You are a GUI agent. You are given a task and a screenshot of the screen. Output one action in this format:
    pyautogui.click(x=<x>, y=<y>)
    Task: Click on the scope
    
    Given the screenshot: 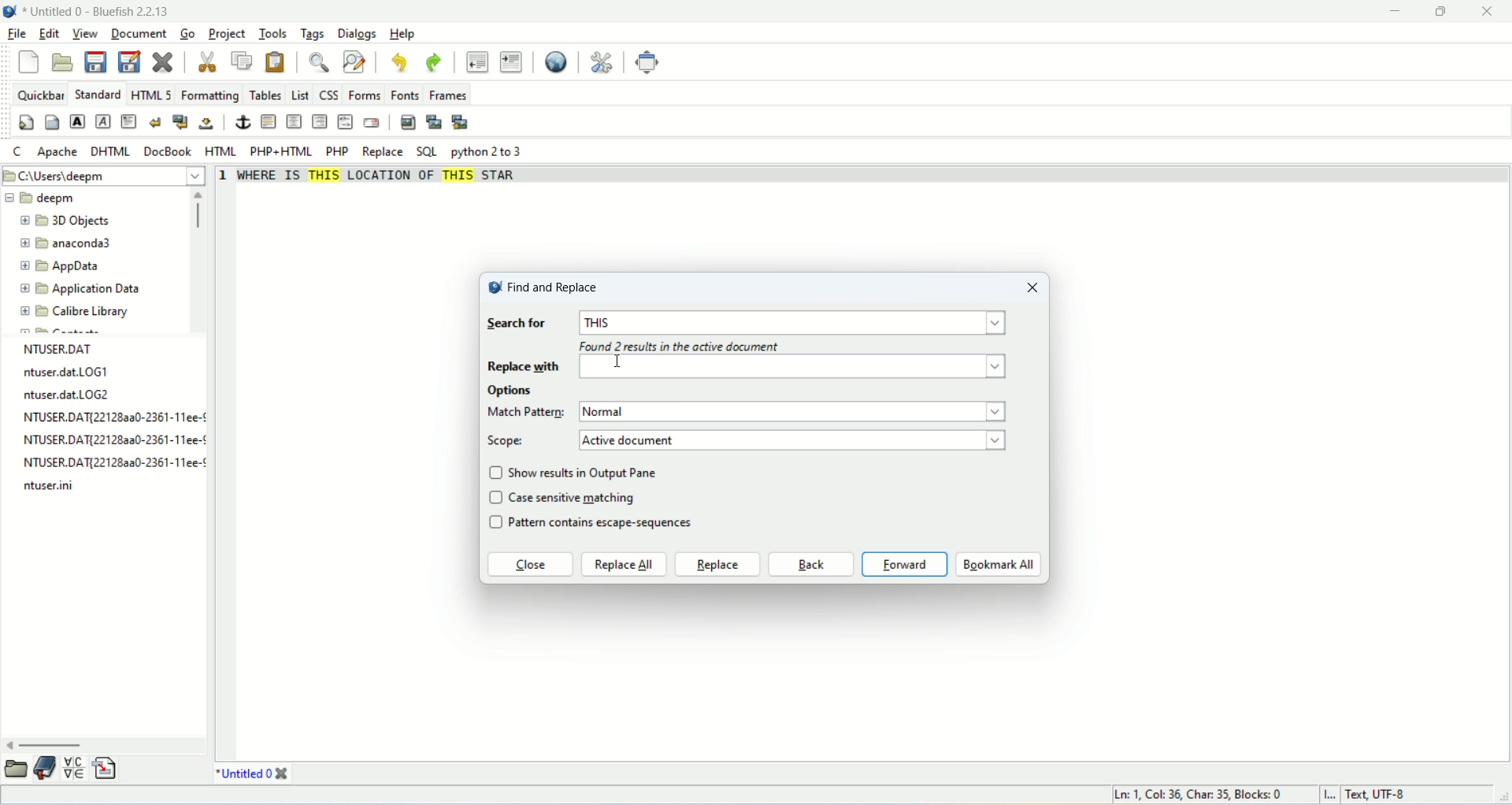 What is the action you would take?
    pyautogui.click(x=509, y=441)
    